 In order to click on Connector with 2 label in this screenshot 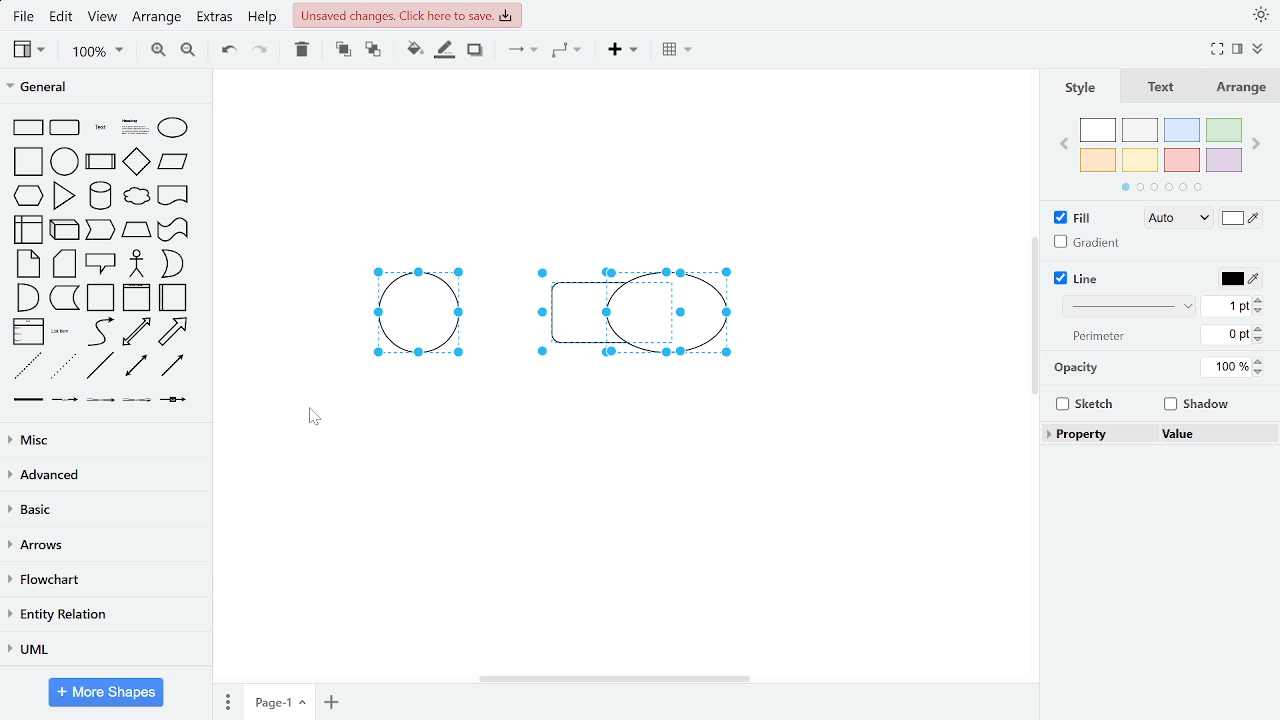, I will do `click(101, 404)`.